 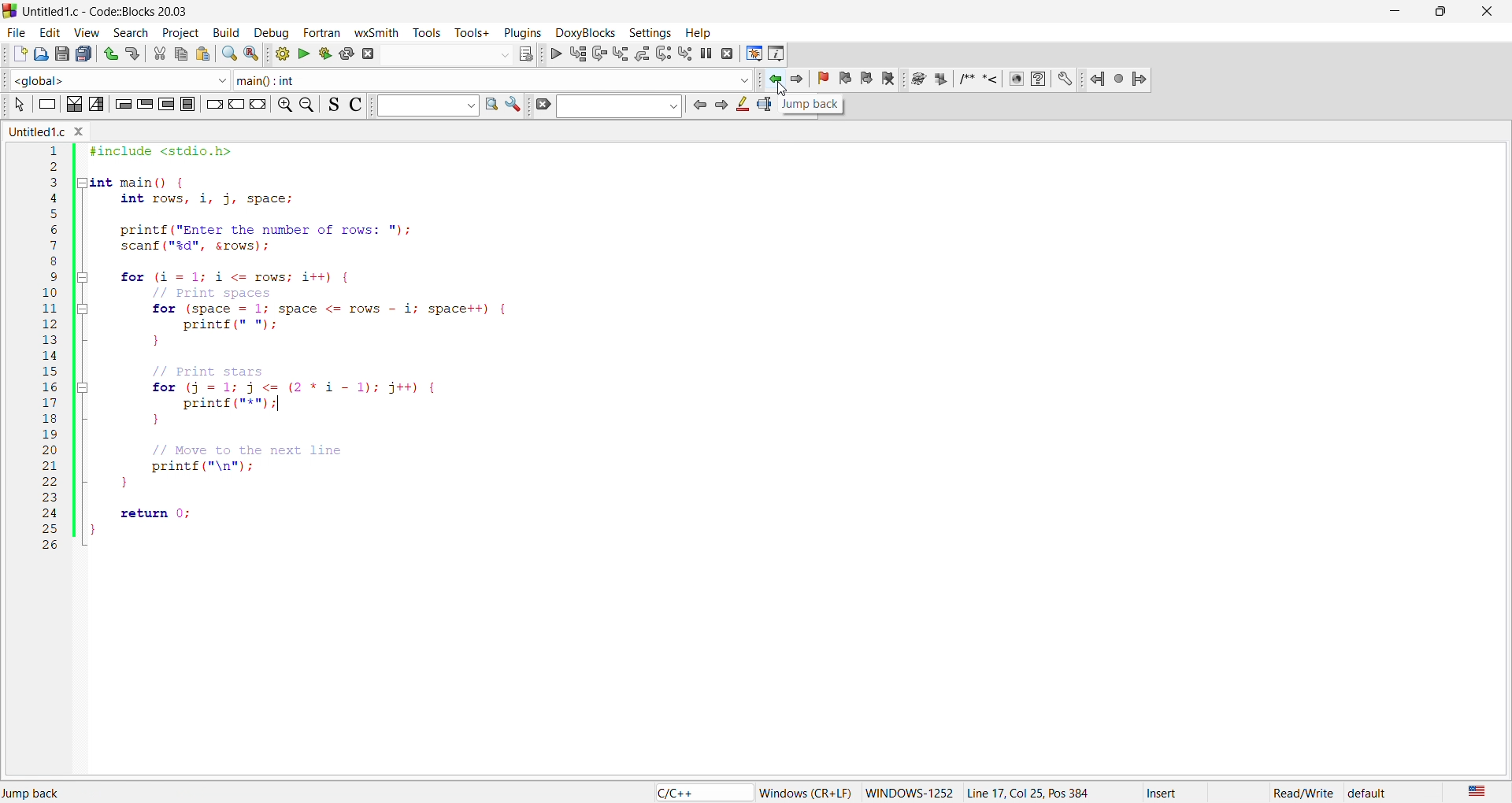 What do you see at coordinates (345, 54) in the screenshot?
I see `rebuild` at bounding box center [345, 54].